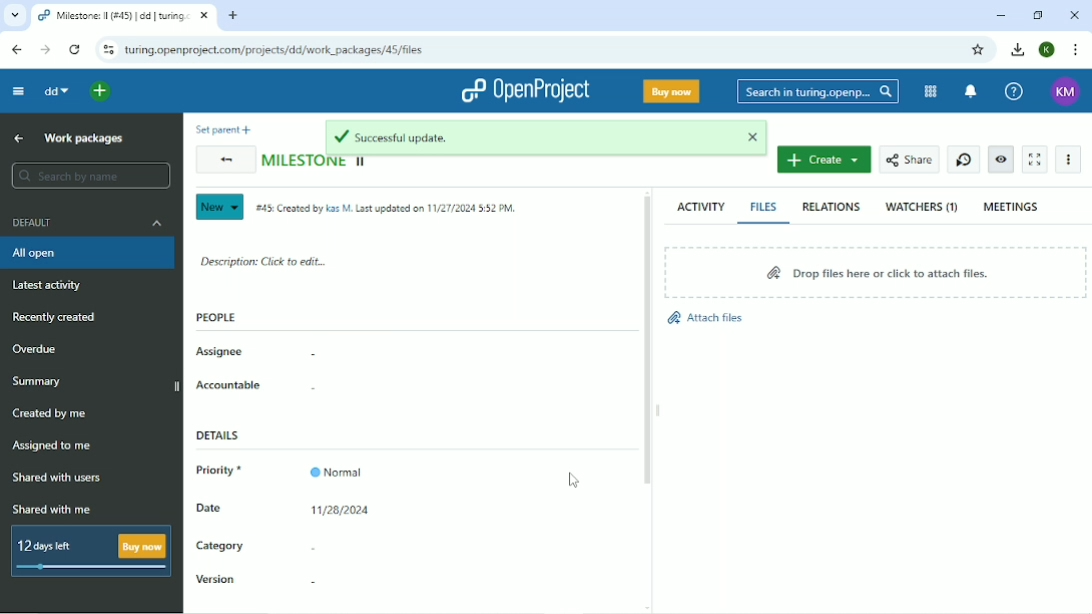 The width and height of the screenshot is (1092, 614). Describe the element at coordinates (1012, 206) in the screenshot. I see `Meetings` at that location.